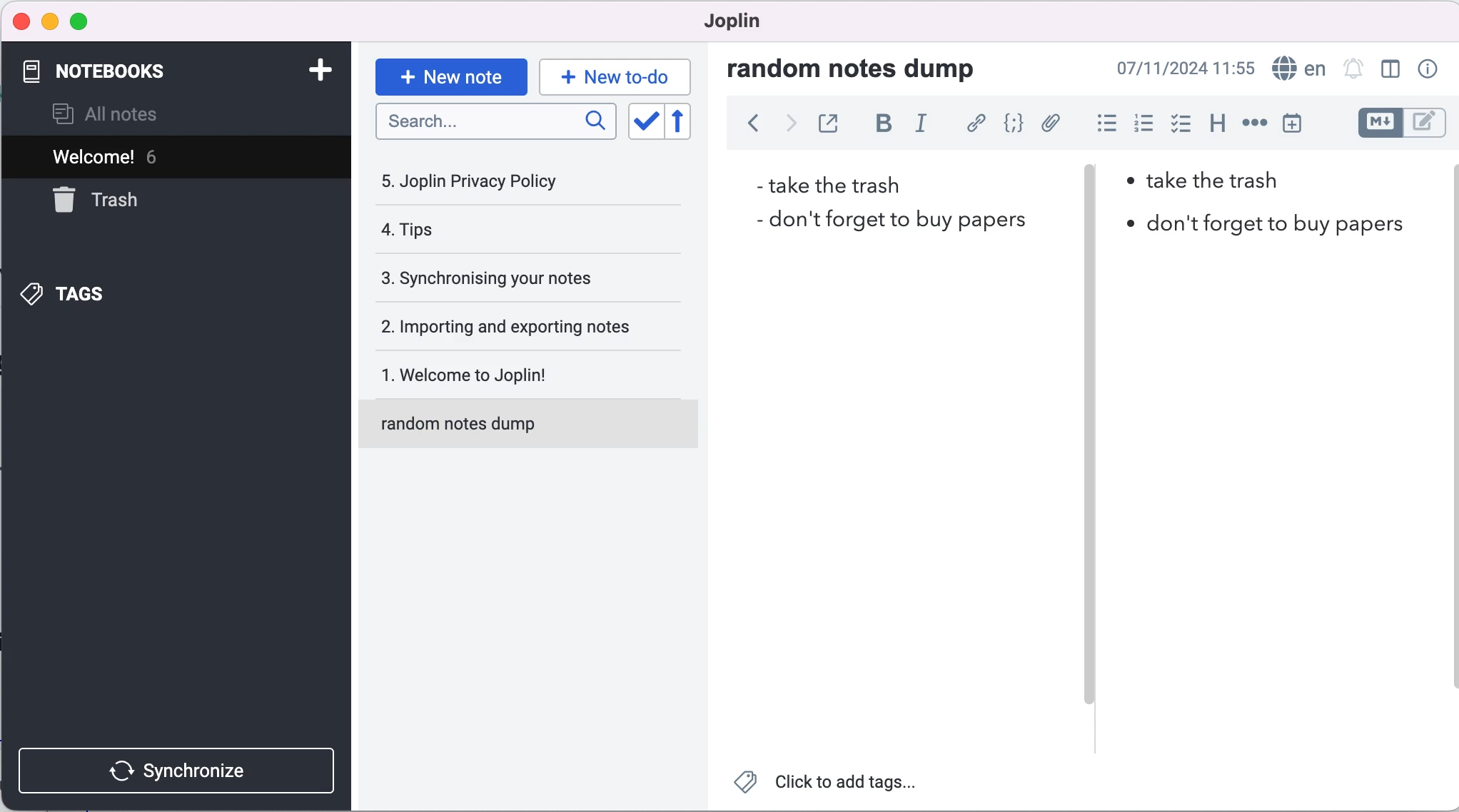 This screenshot has height=812, width=1459. I want to click on don't forget to buy papers, so click(1264, 223).